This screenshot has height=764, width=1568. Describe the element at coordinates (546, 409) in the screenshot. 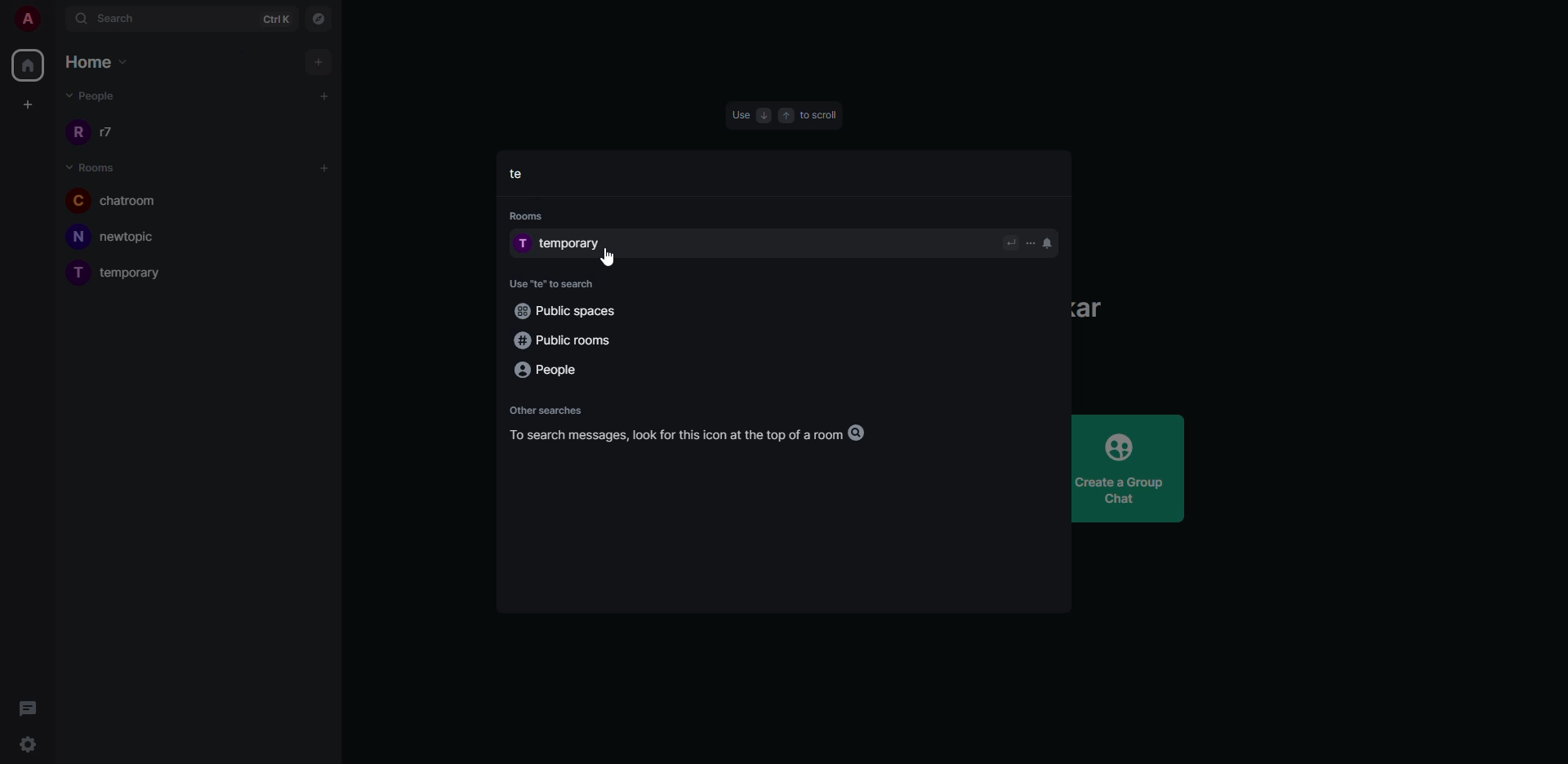

I see `other searches` at that location.